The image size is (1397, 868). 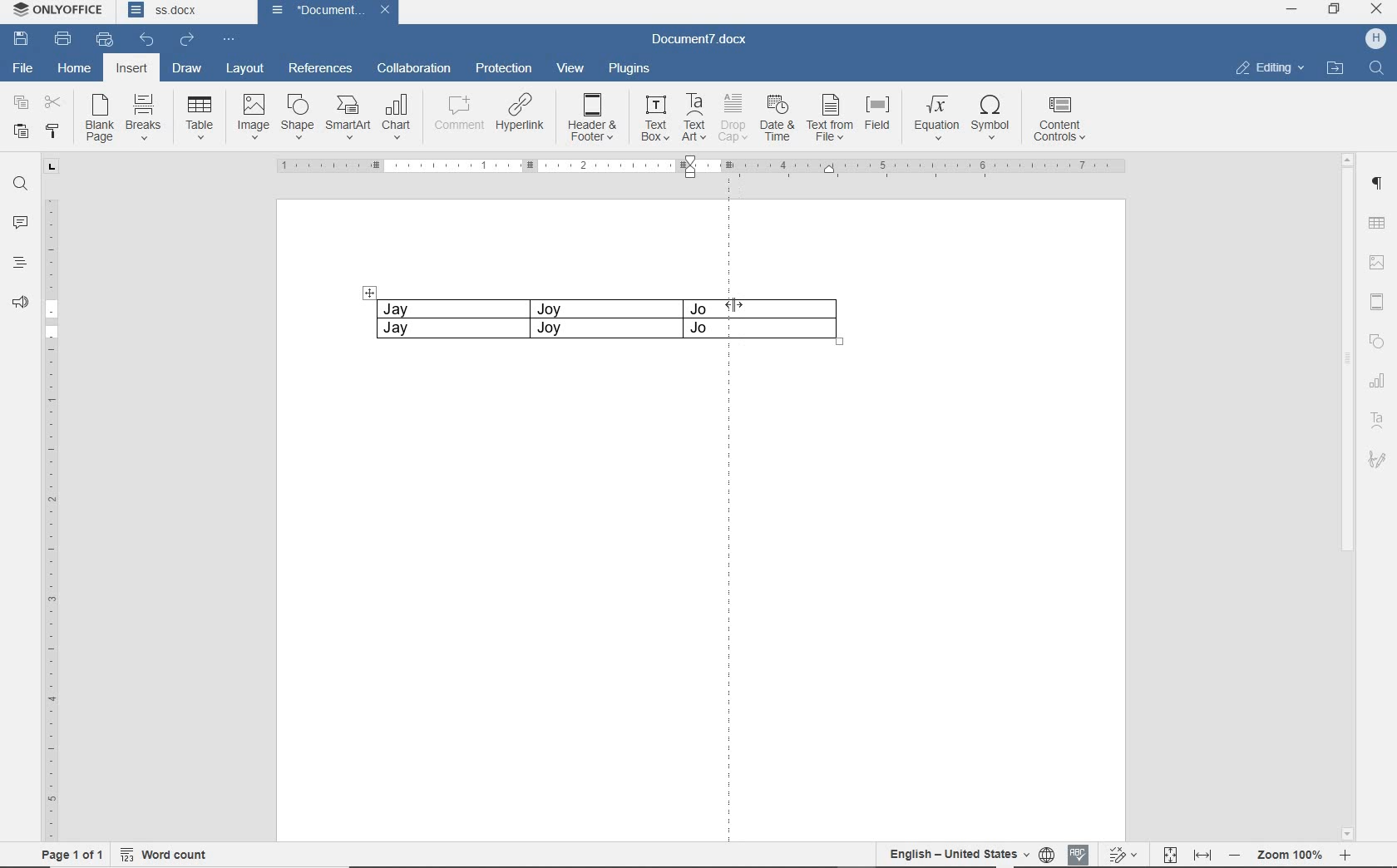 I want to click on TRACK CHANGES, so click(x=1126, y=854).